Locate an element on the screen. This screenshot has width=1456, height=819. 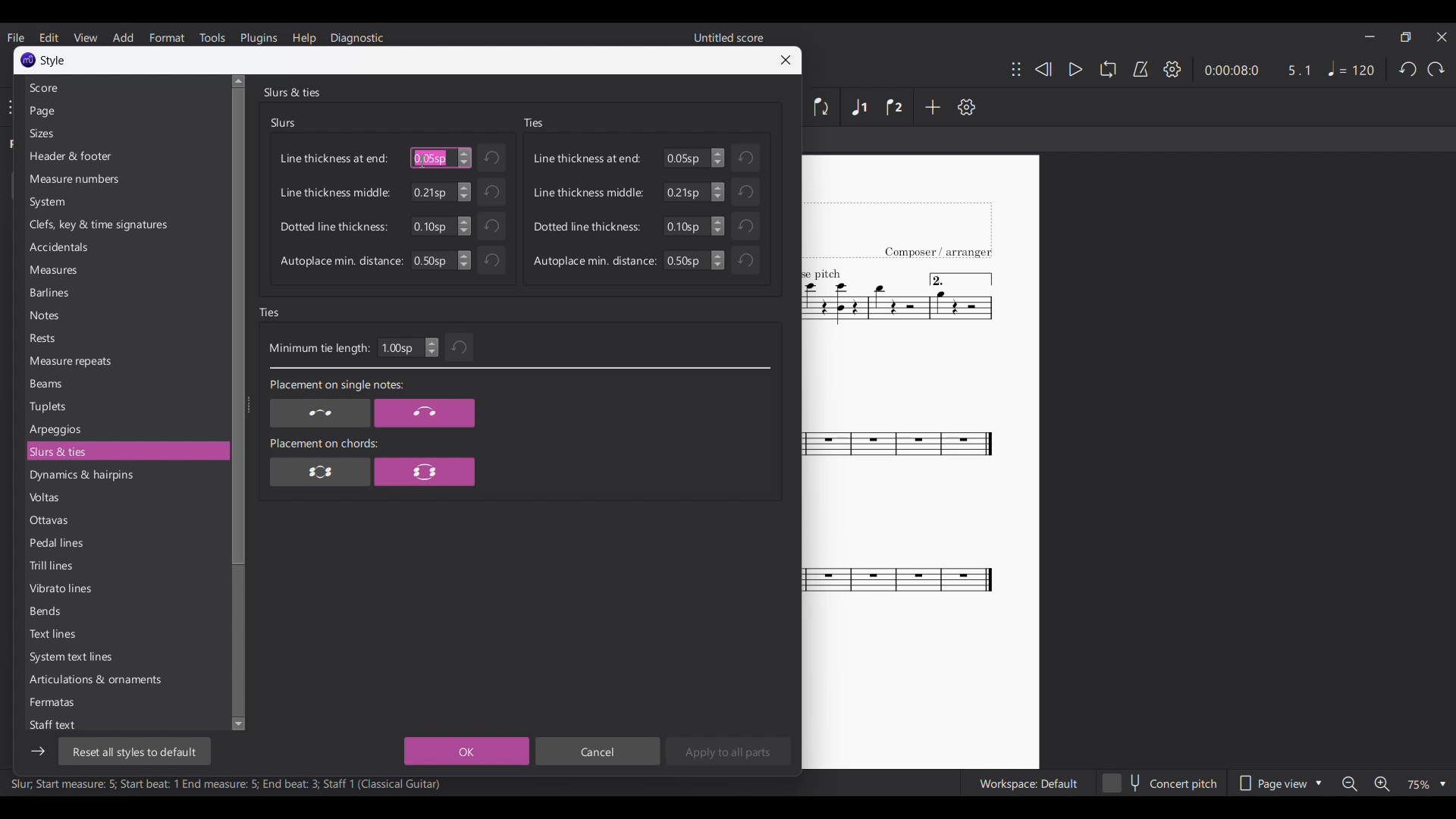
Edit menu is located at coordinates (49, 37).